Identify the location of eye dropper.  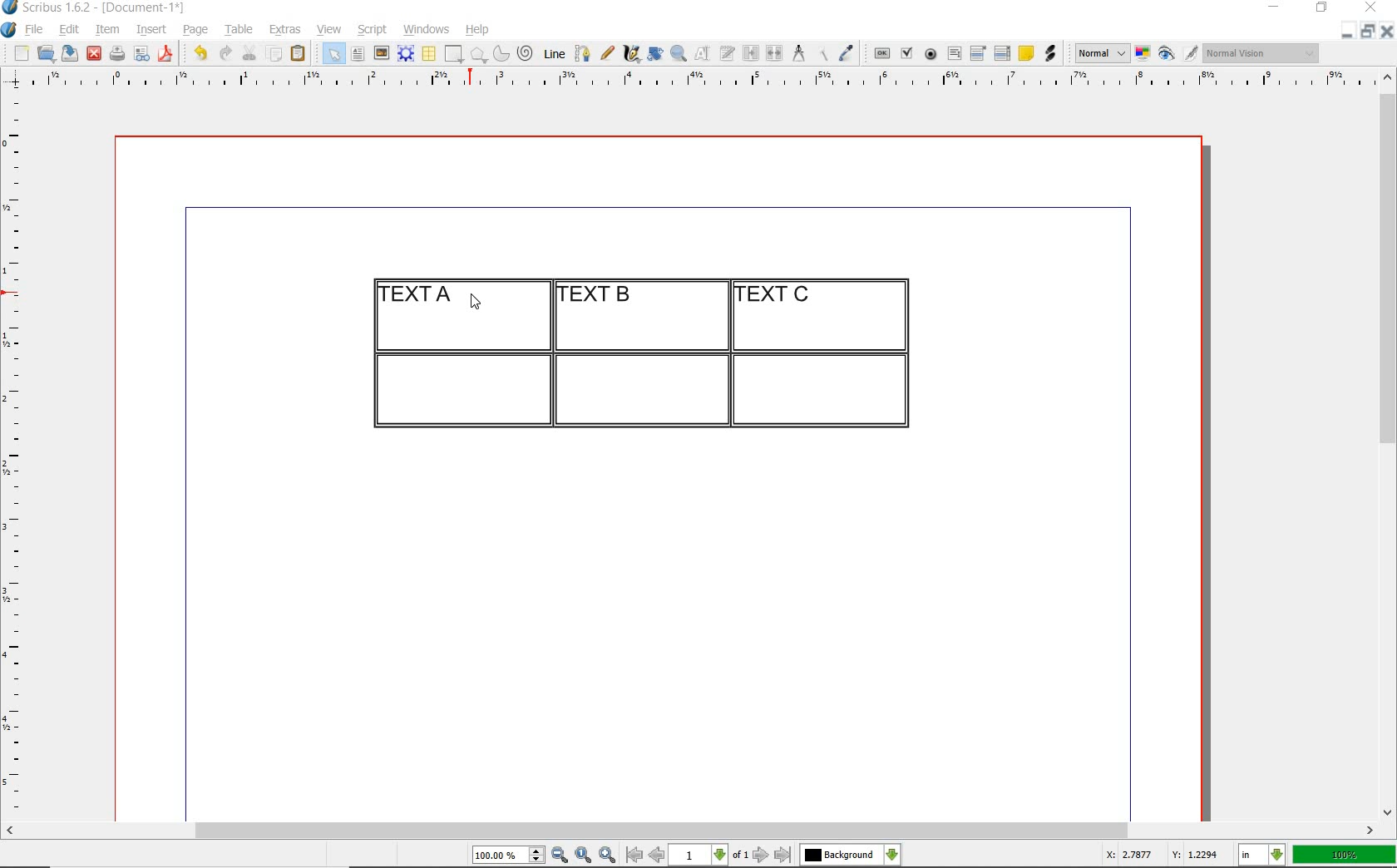
(846, 55).